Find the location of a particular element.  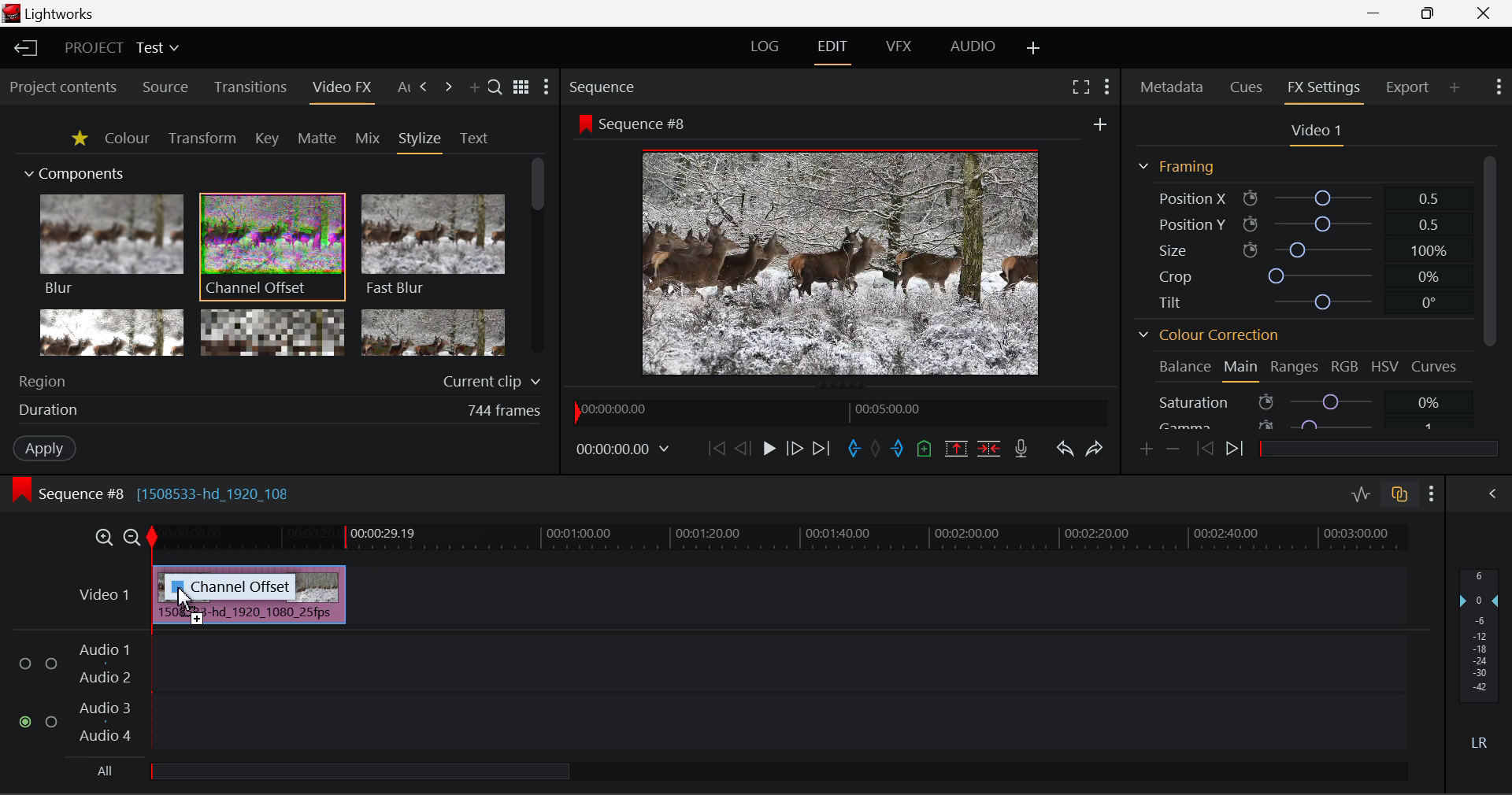

Stylize Tab Open is located at coordinates (419, 142).